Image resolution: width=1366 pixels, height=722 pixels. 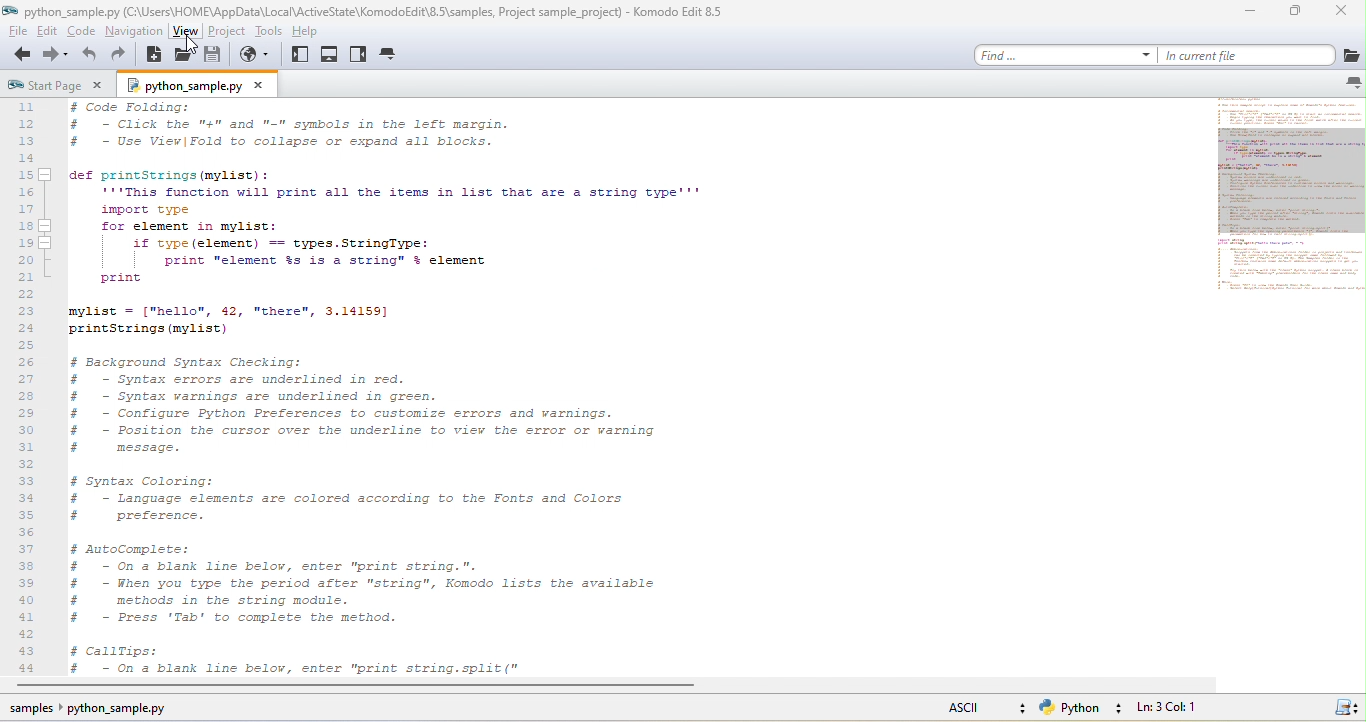 What do you see at coordinates (205, 43) in the screenshot?
I see `cursor` at bounding box center [205, 43].